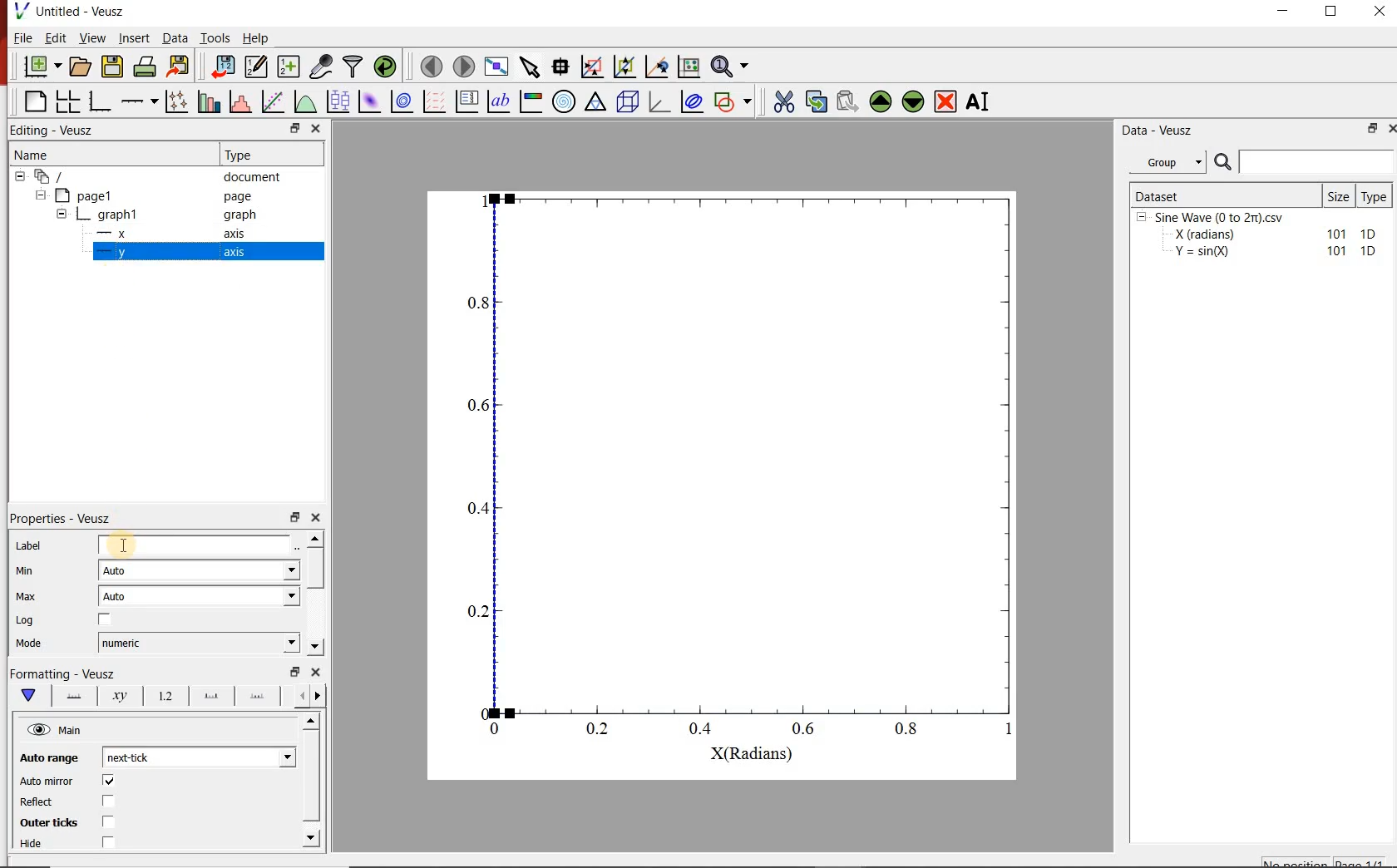 Image resolution: width=1397 pixels, height=868 pixels. Describe the element at coordinates (1340, 195) in the screenshot. I see `Size` at that location.